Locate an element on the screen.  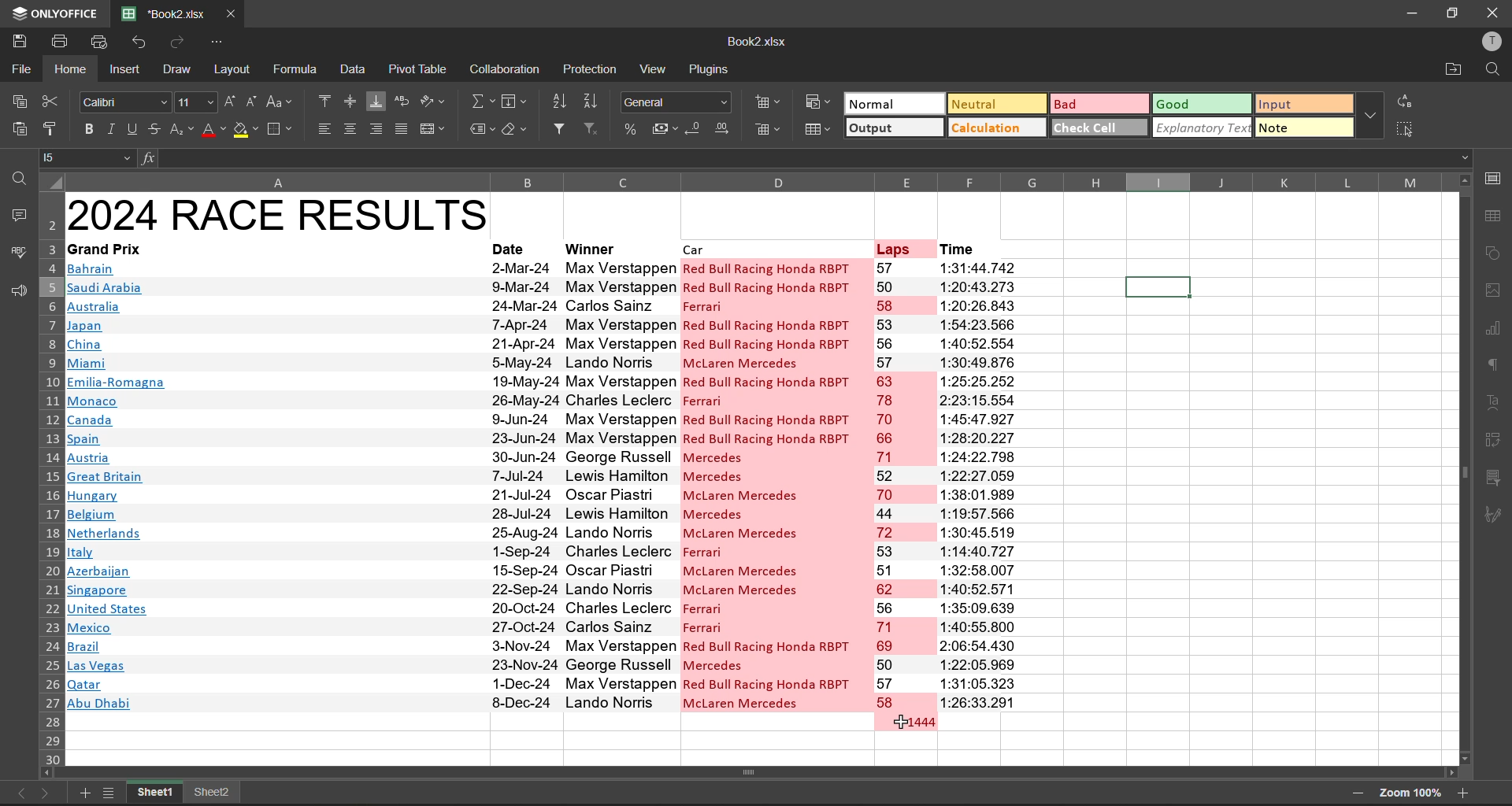
customize quick access toolbar is located at coordinates (221, 43).